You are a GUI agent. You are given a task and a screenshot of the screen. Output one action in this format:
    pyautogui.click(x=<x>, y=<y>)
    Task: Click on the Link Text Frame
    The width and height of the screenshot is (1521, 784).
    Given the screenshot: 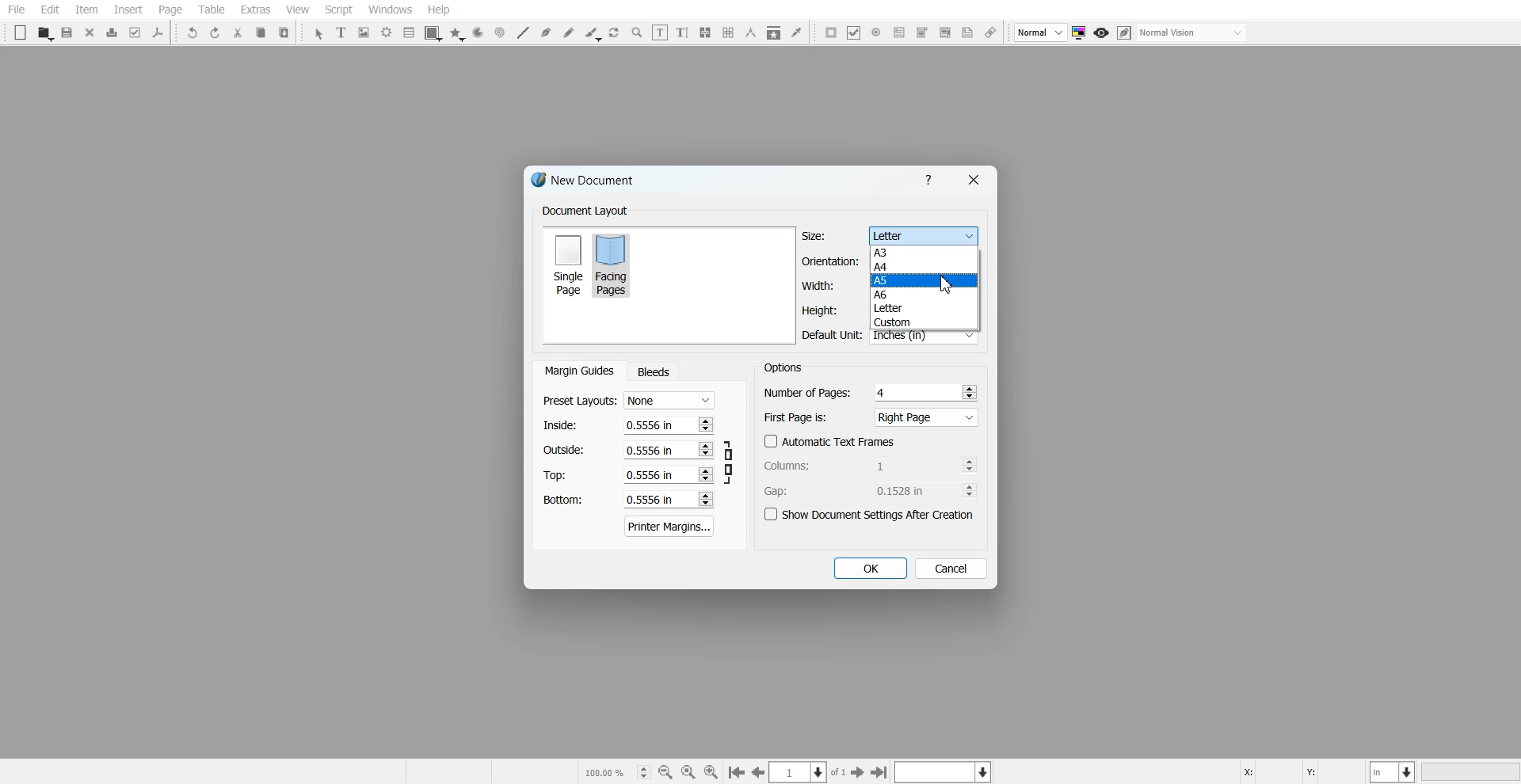 What is the action you would take?
    pyautogui.click(x=705, y=32)
    